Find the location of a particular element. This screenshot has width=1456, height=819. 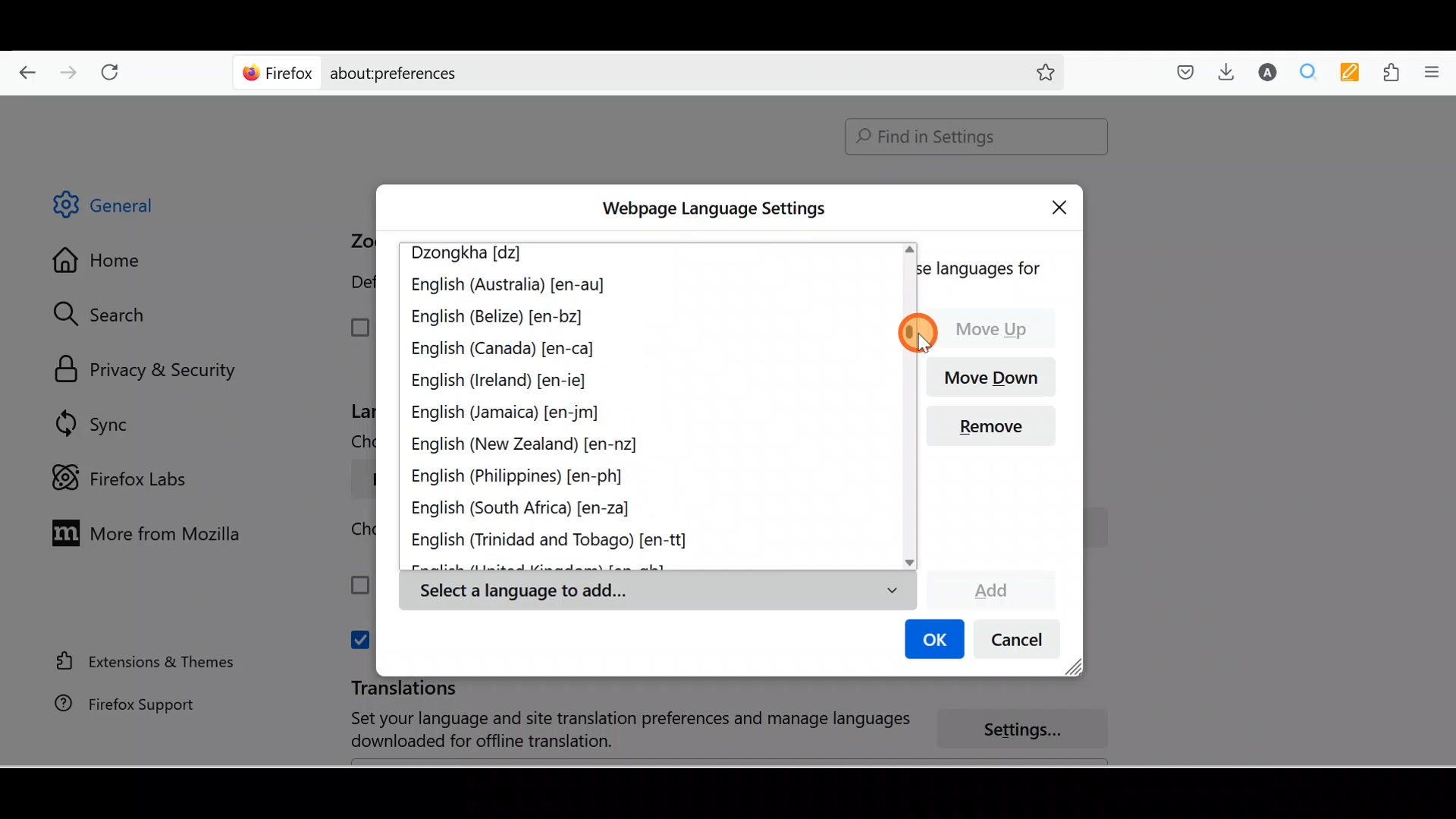

Close is located at coordinates (1063, 205).